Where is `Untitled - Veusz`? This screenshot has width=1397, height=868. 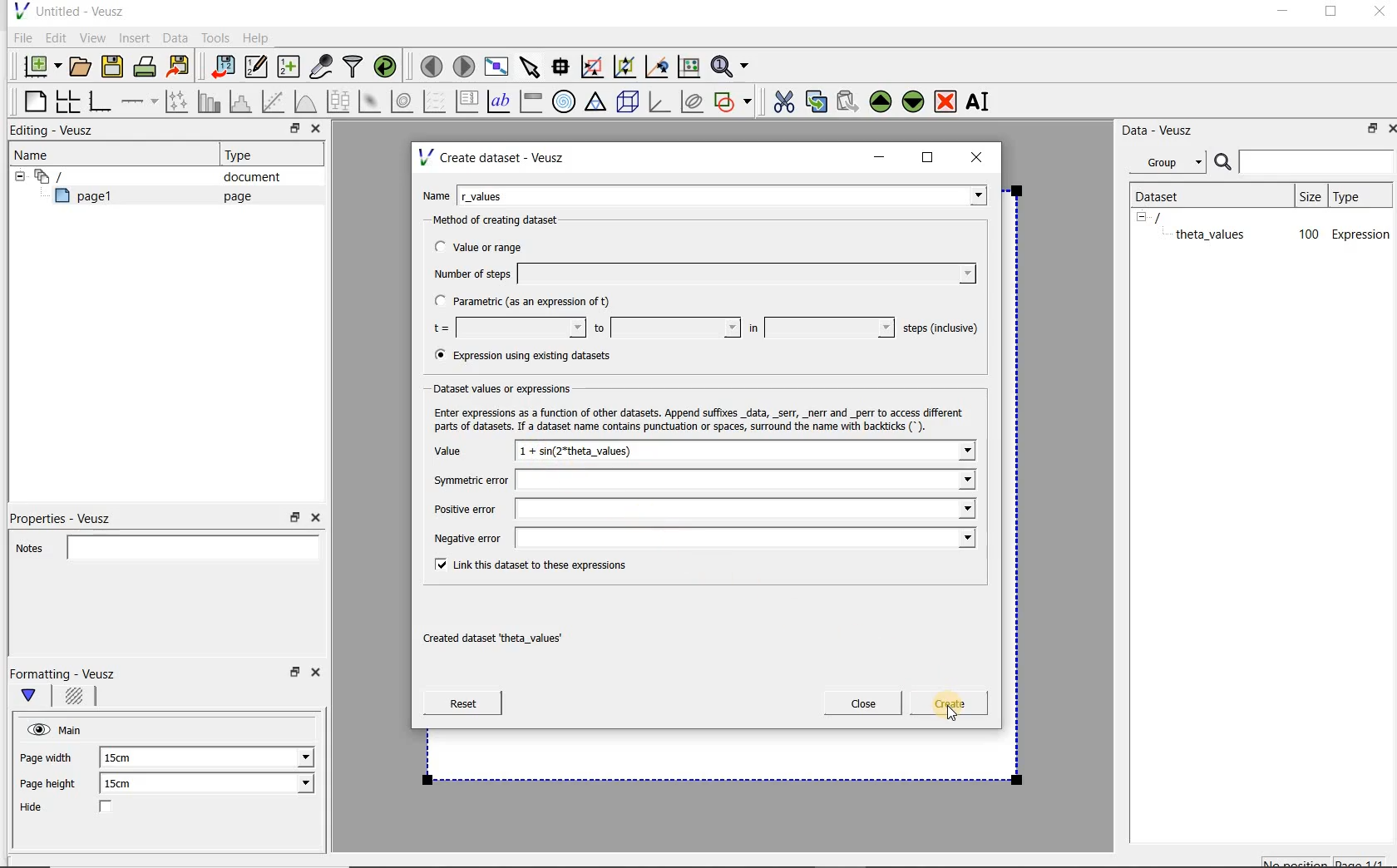
Untitled - Veusz is located at coordinates (67, 10).